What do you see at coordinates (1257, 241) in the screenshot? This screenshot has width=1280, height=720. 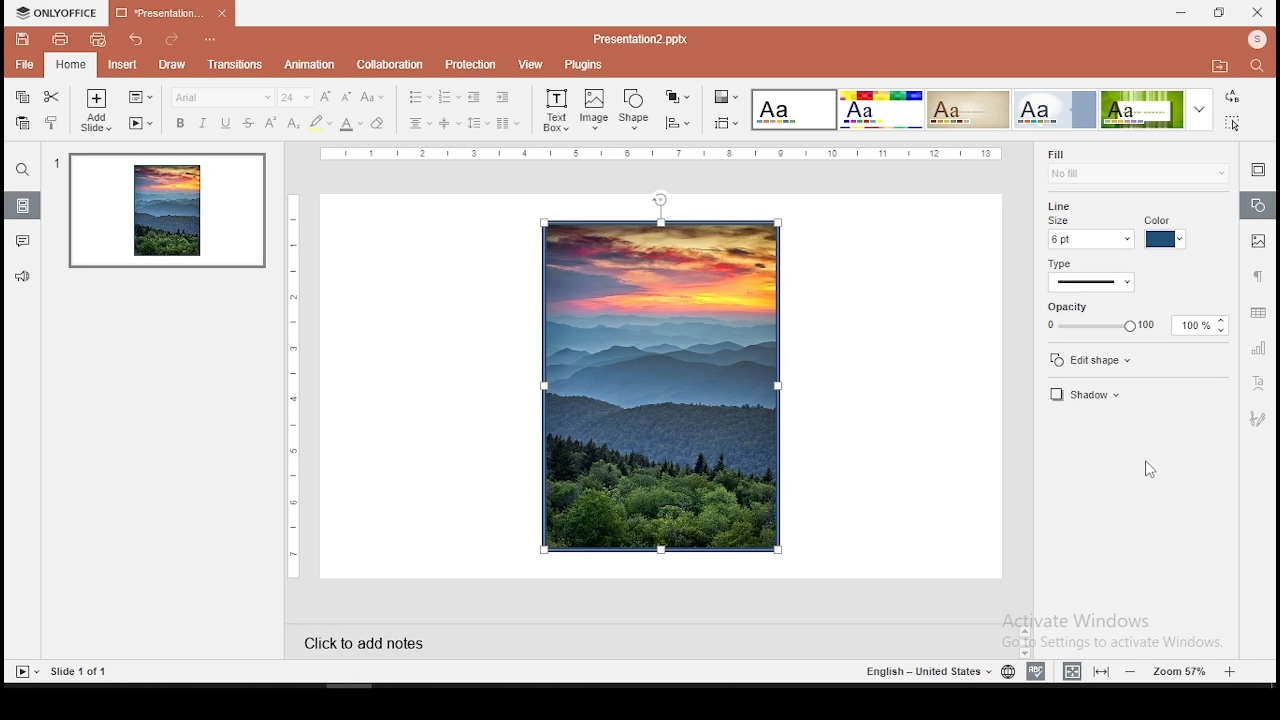 I see `image settings` at bounding box center [1257, 241].